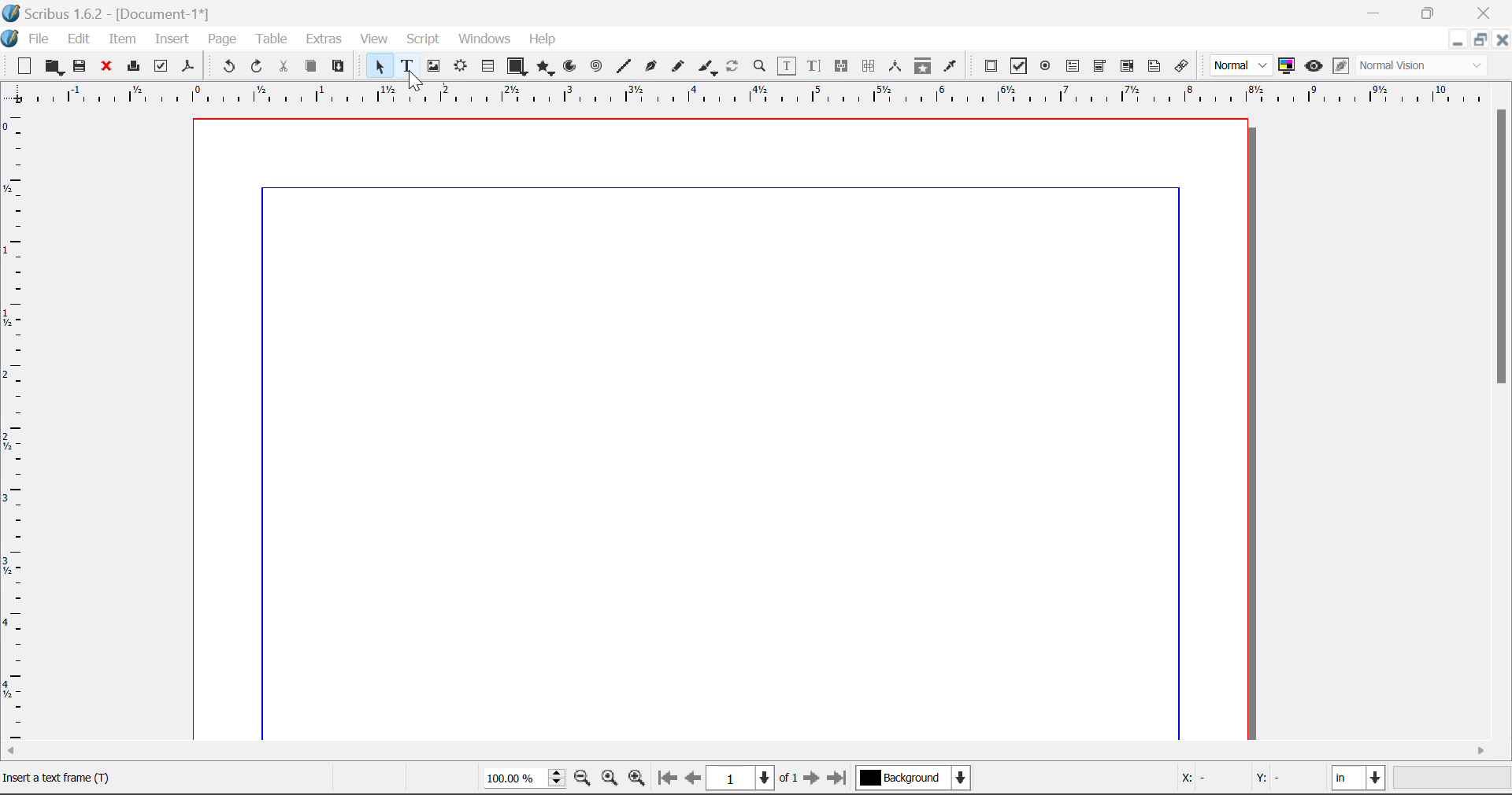 This screenshot has height=795, width=1512. Describe the element at coordinates (107, 67) in the screenshot. I see `Discard` at that location.